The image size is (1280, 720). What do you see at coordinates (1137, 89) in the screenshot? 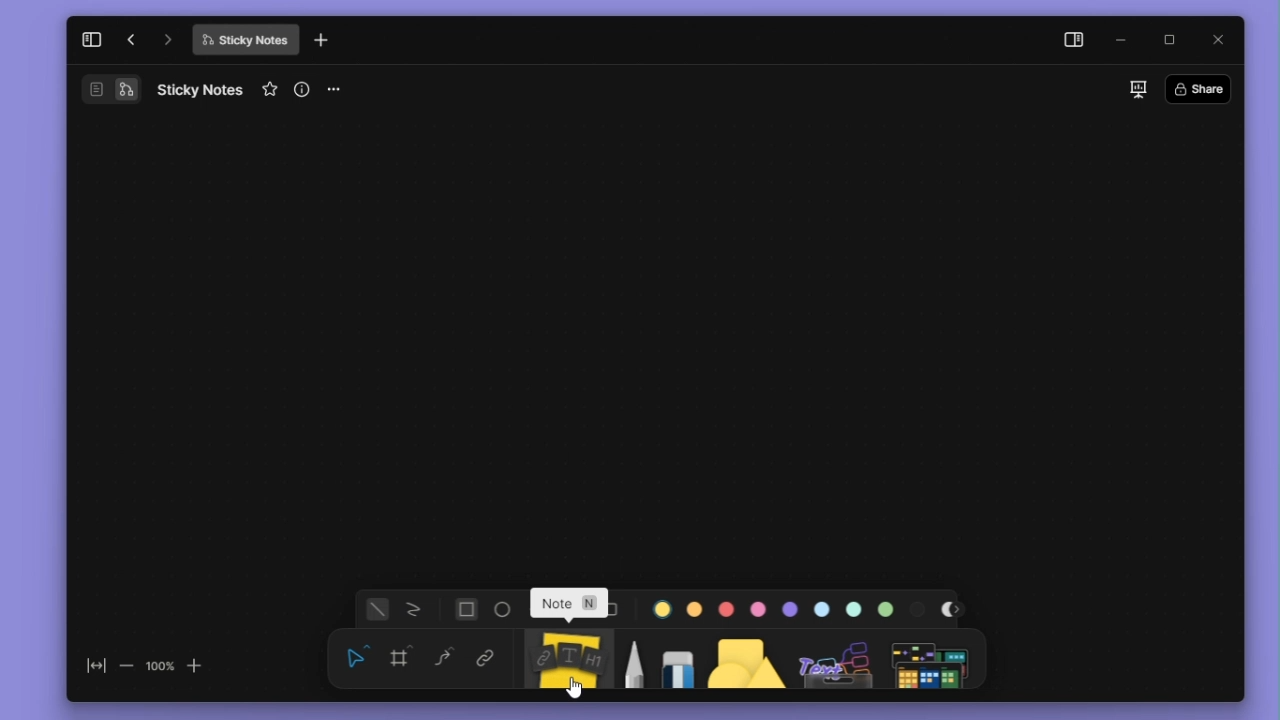
I see `slideshow` at bounding box center [1137, 89].